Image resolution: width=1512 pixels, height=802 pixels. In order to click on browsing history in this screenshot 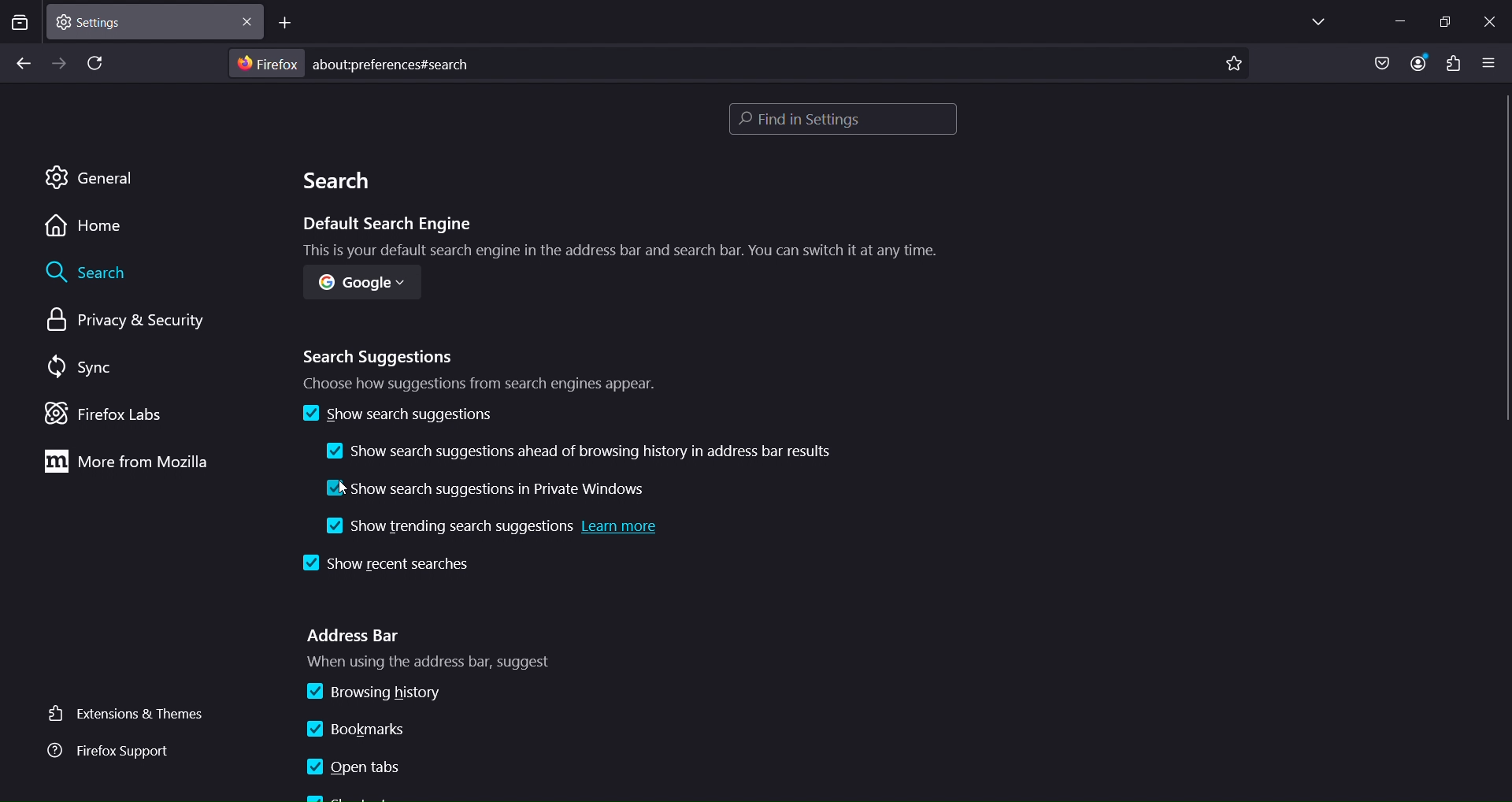, I will do `click(378, 692)`.